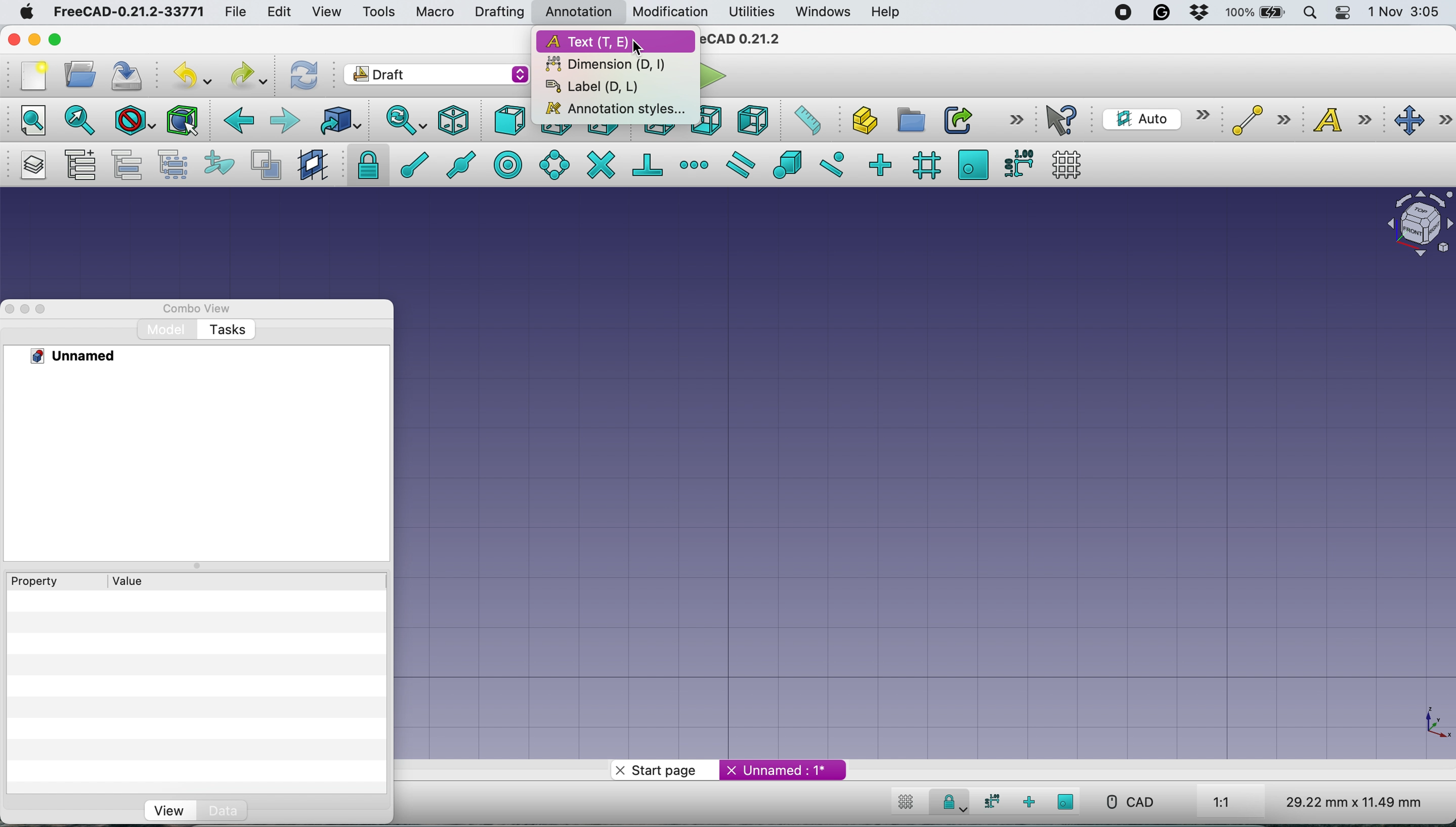 The image size is (1456, 827). What do you see at coordinates (652, 768) in the screenshot?
I see `start page` at bounding box center [652, 768].